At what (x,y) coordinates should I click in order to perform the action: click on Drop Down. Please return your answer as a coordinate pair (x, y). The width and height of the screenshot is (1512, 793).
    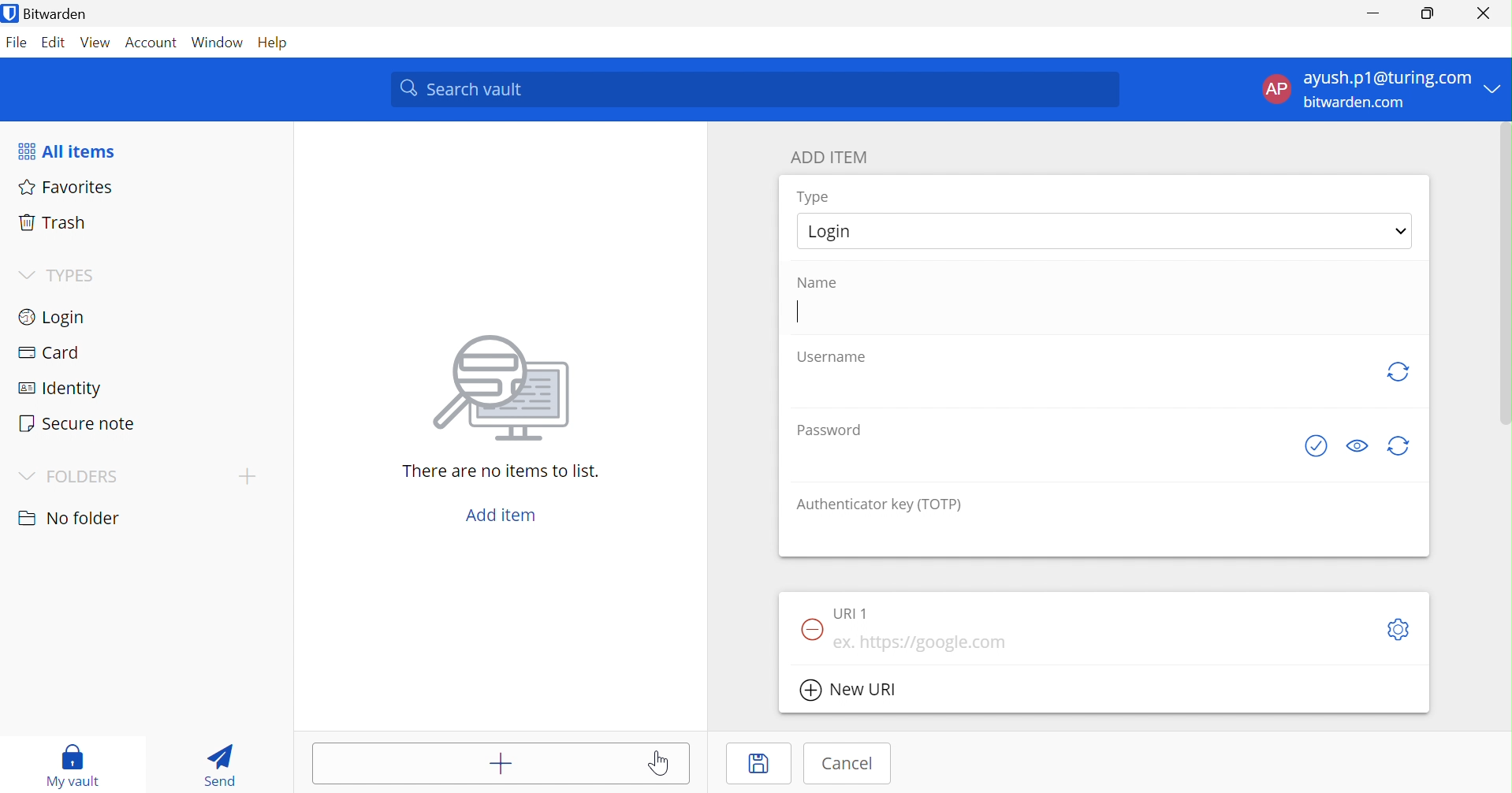
    Looking at the image, I should click on (246, 476).